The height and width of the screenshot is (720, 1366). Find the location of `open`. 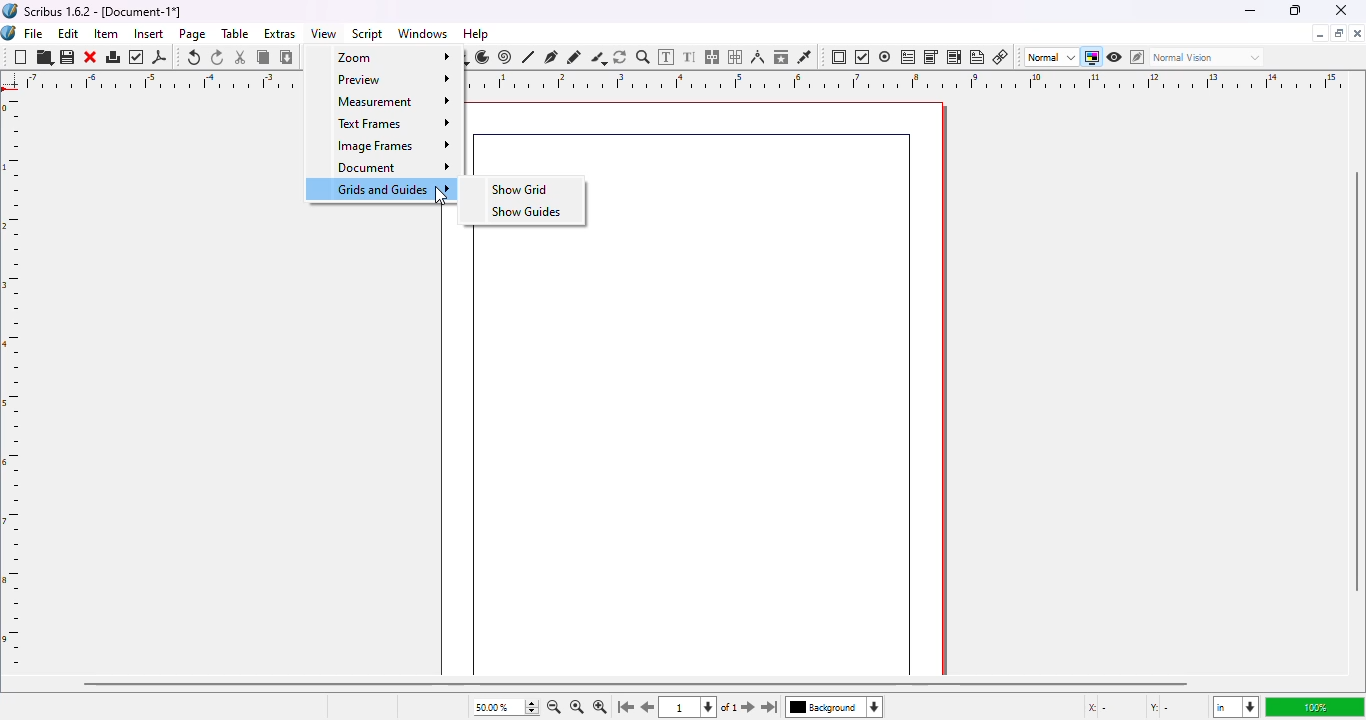

open is located at coordinates (45, 58).